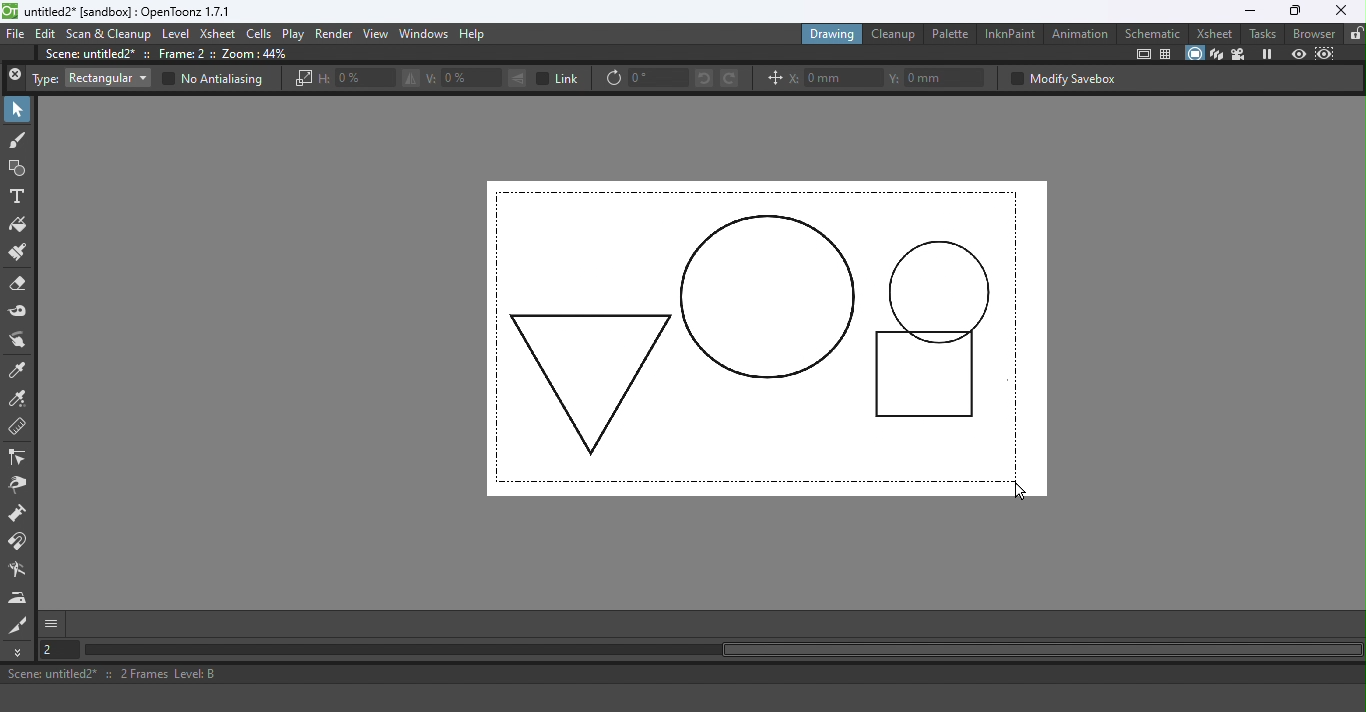 The image size is (1366, 712). Describe the element at coordinates (939, 78) in the screenshot. I see `Y: 0mm` at that location.